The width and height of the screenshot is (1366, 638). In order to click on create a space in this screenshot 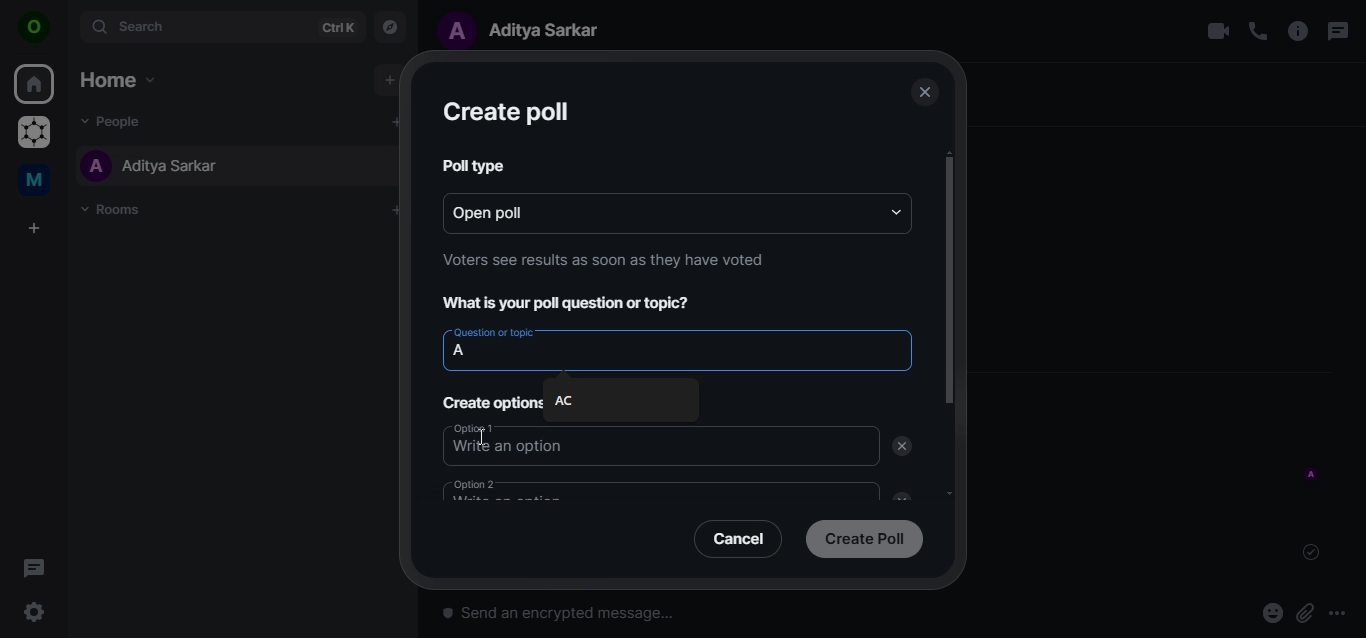, I will do `click(37, 229)`.